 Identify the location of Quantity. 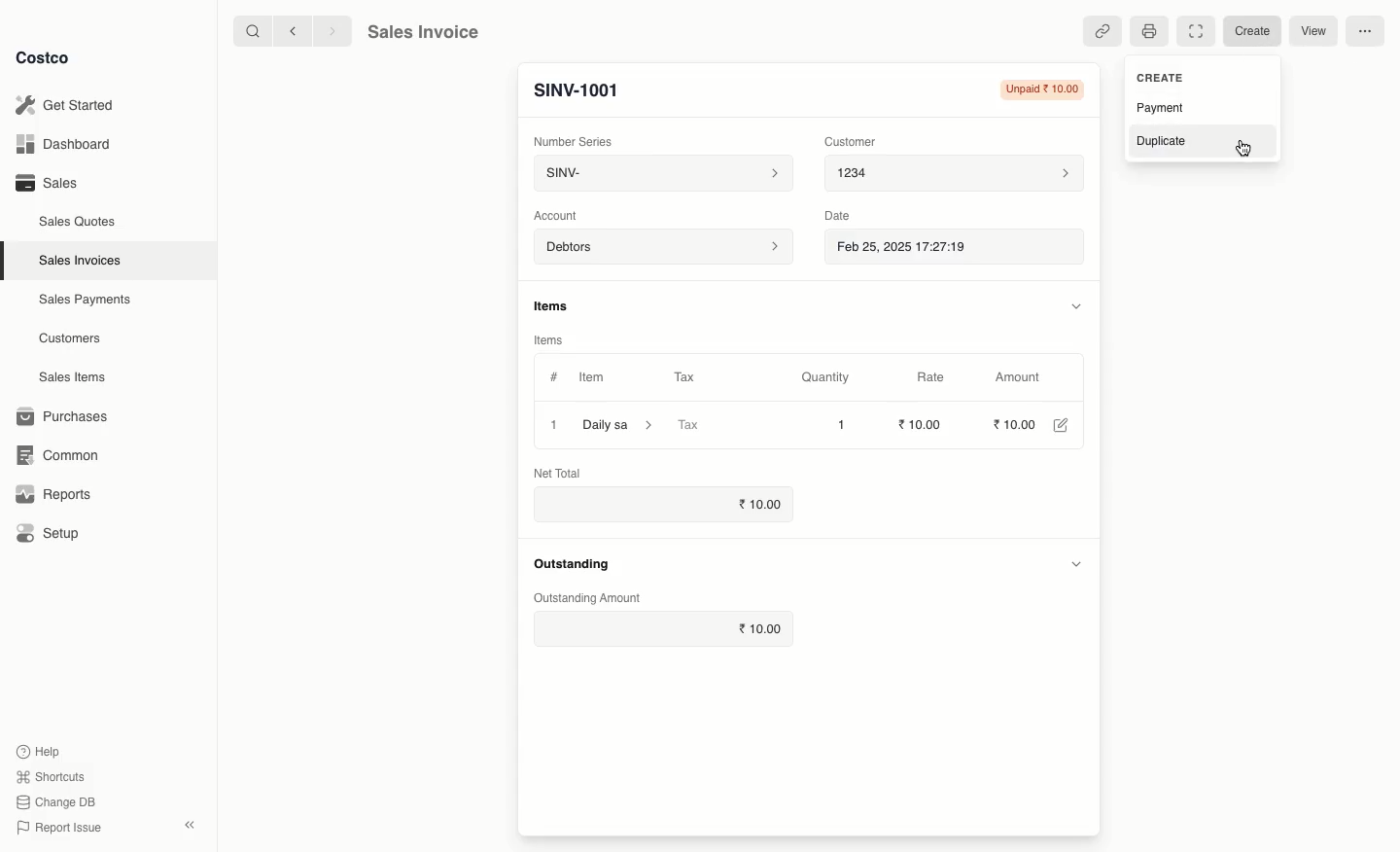
(825, 378).